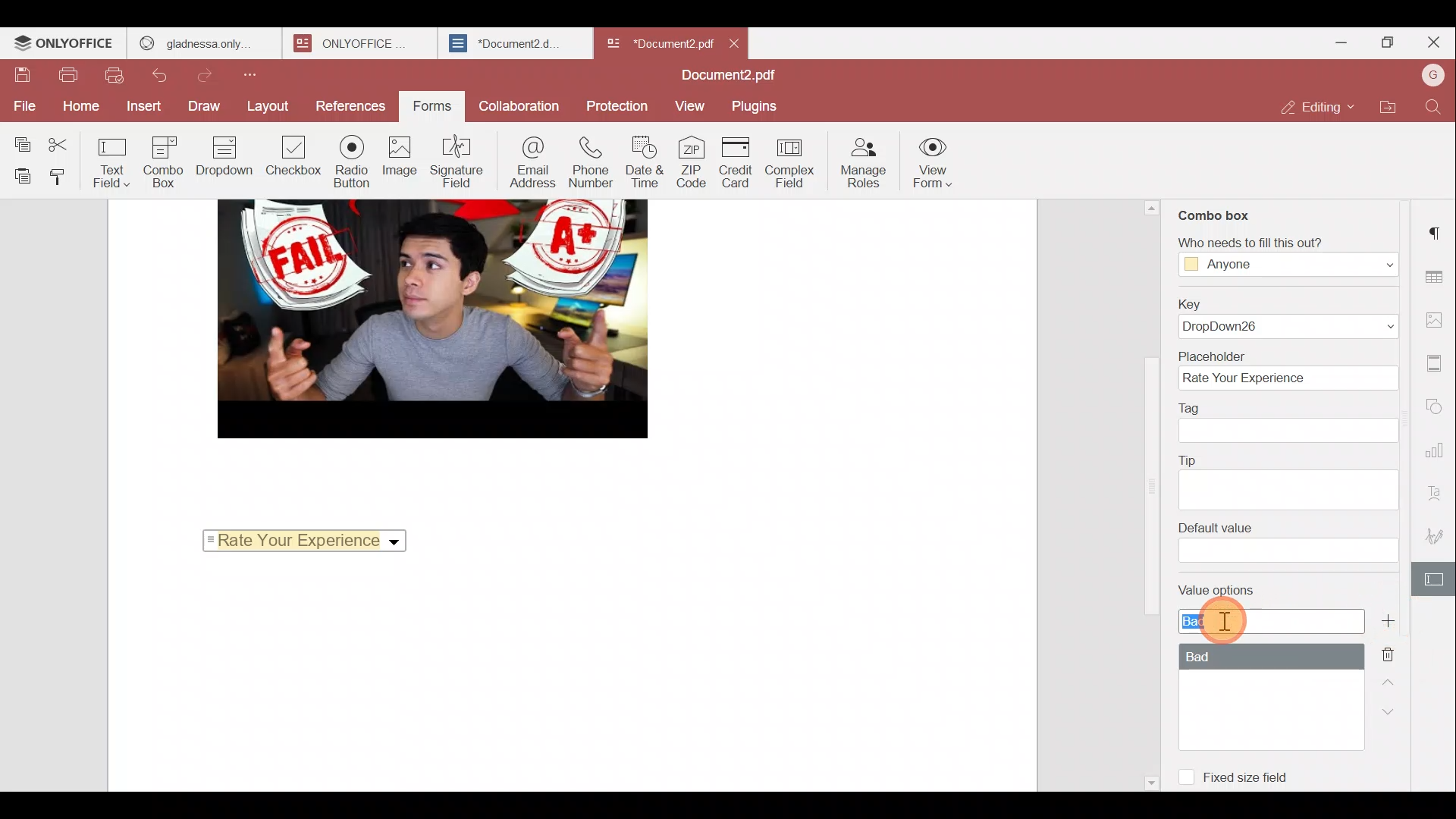  I want to click on Find, so click(1433, 110).